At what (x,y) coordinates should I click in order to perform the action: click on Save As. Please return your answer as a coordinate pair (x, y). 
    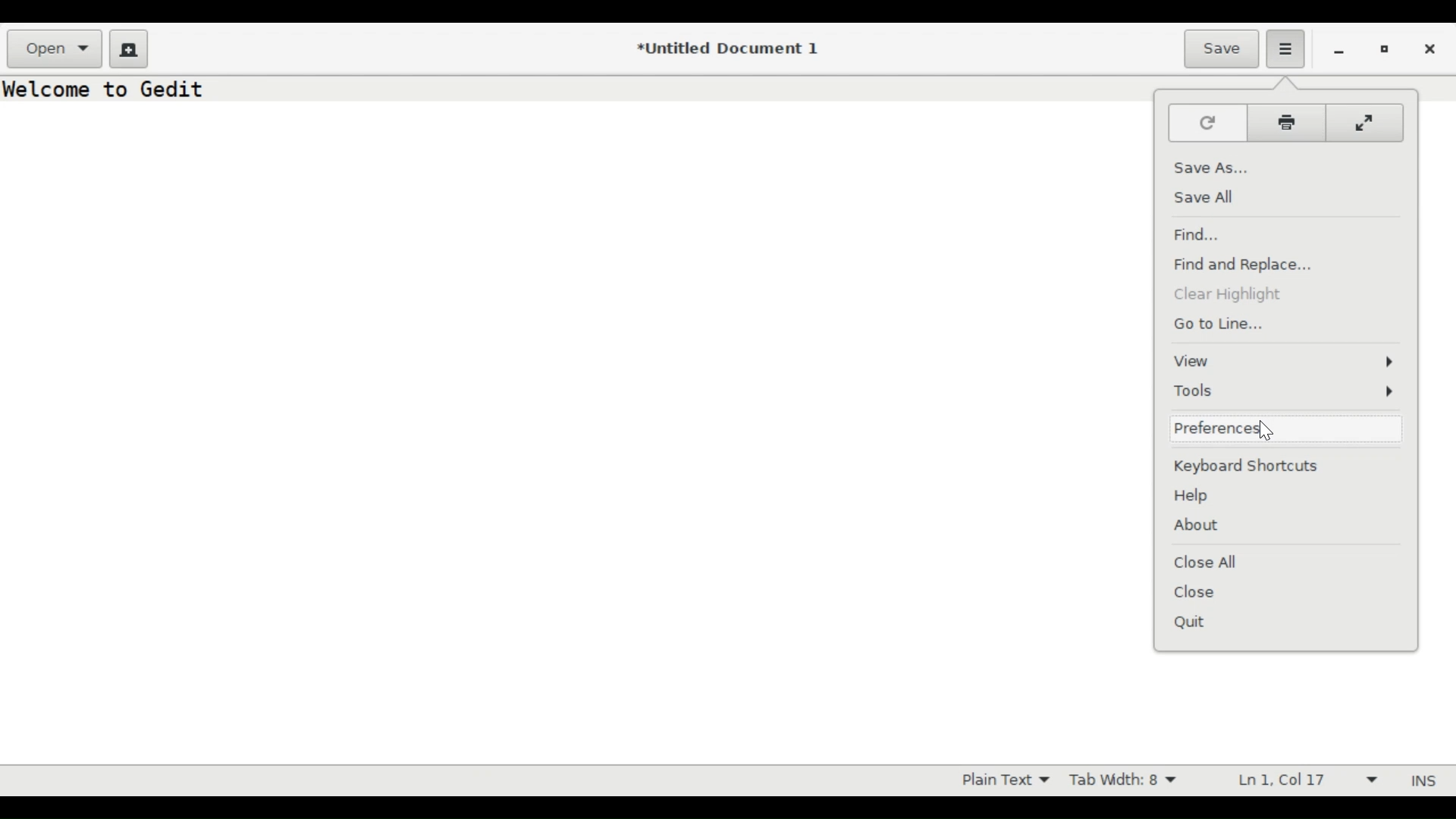
    Looking at the image, I should click on (1213, 166).